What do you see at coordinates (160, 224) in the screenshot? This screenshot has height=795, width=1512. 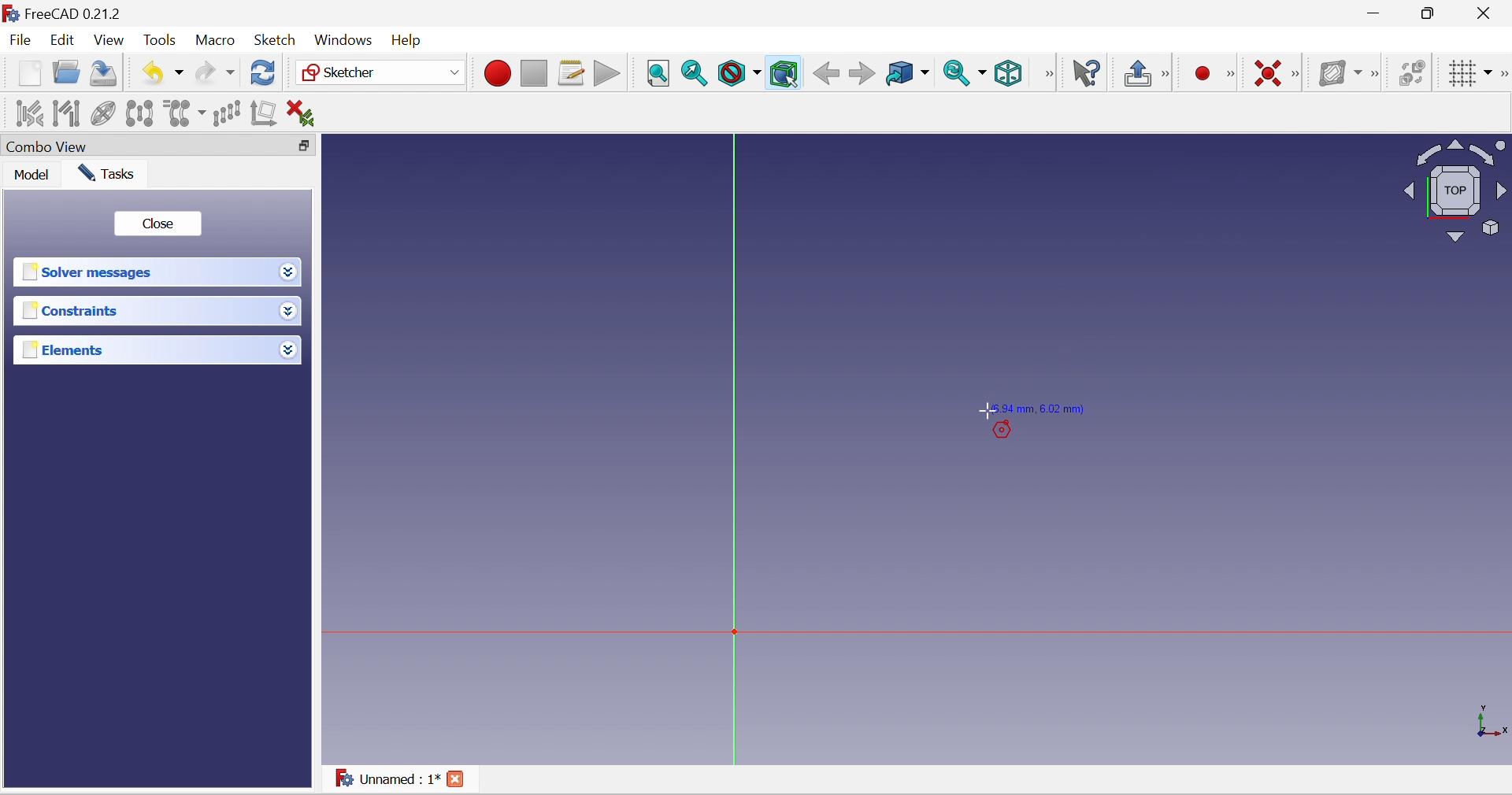 I see `Close` at bounding box center [160, 224].